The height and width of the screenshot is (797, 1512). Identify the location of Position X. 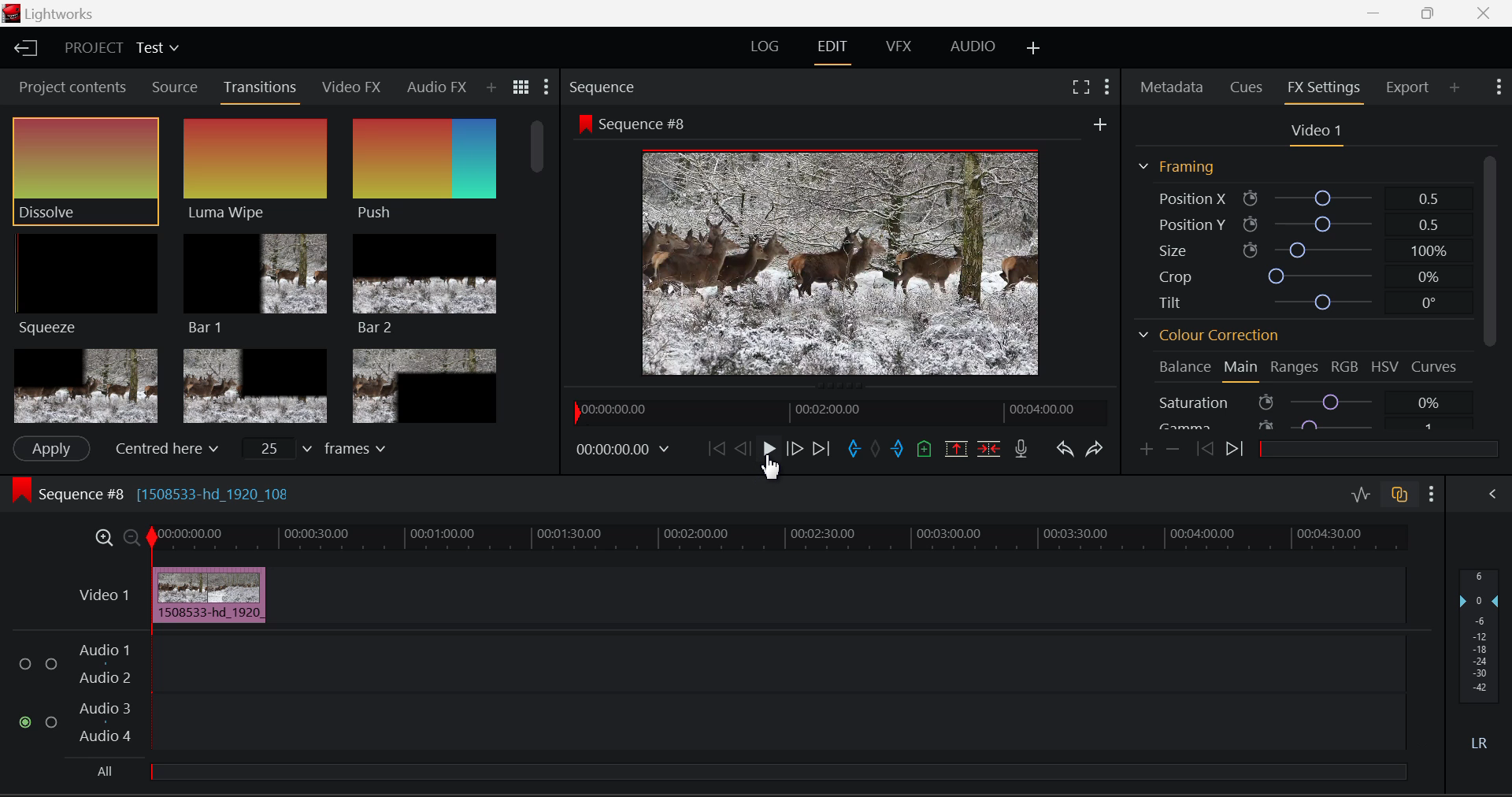
(1296, 196).